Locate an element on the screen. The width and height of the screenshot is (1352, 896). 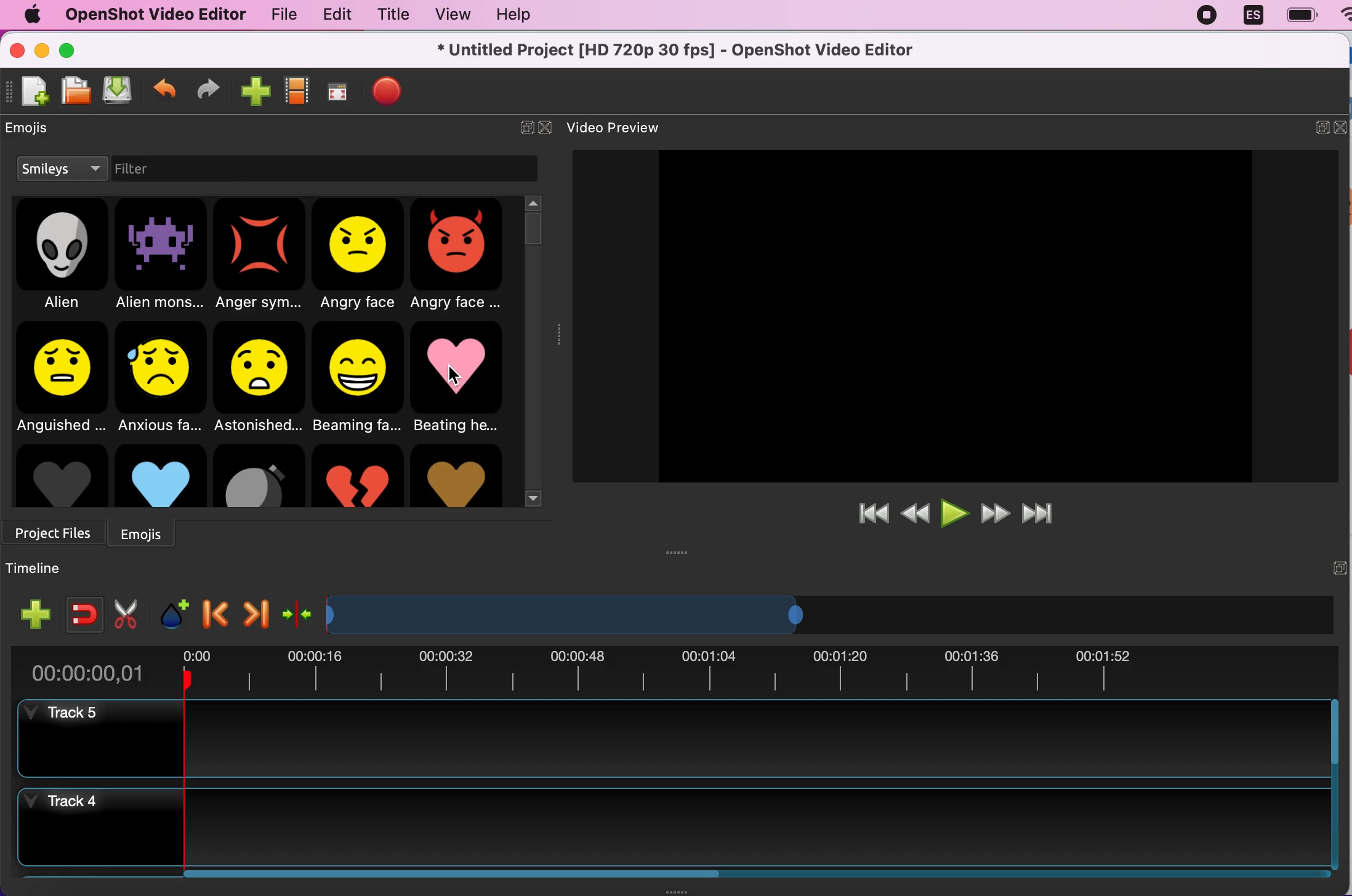
vertical slider is located at coordinates (533, 226).